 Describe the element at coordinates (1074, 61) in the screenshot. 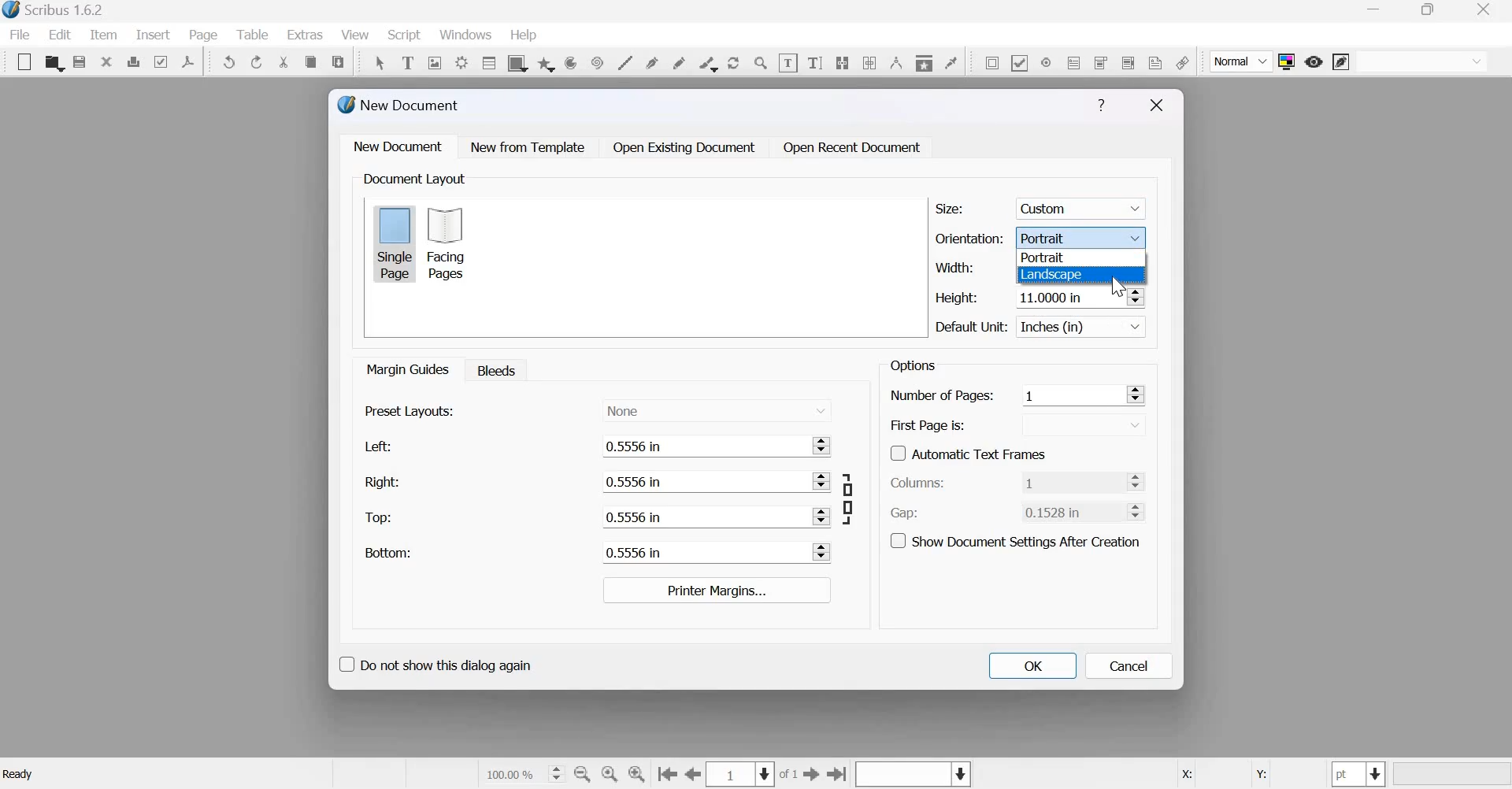

I see `PDF text field` at that location.